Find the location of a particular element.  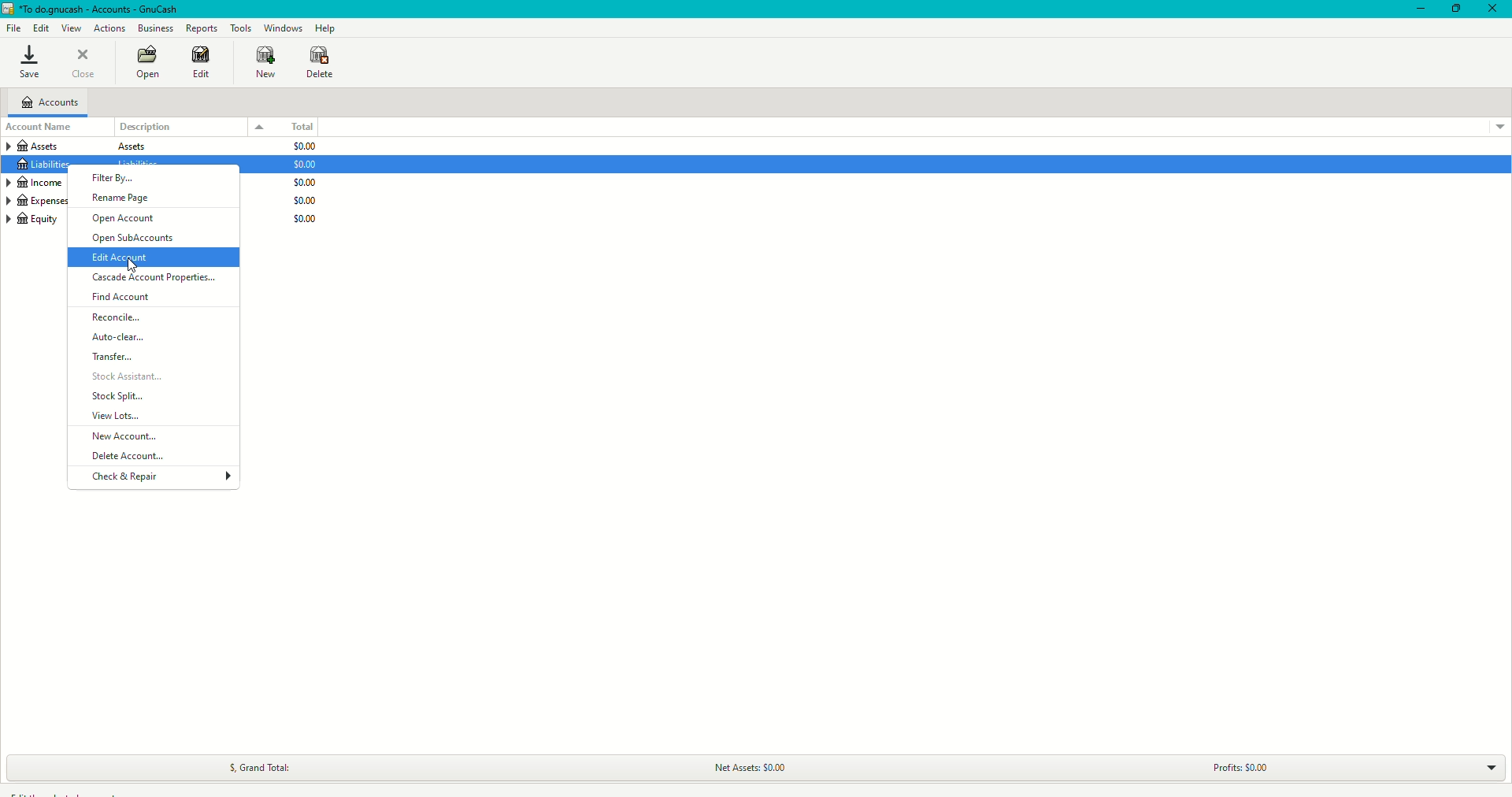

Reports is located at coordinates (202, 28).